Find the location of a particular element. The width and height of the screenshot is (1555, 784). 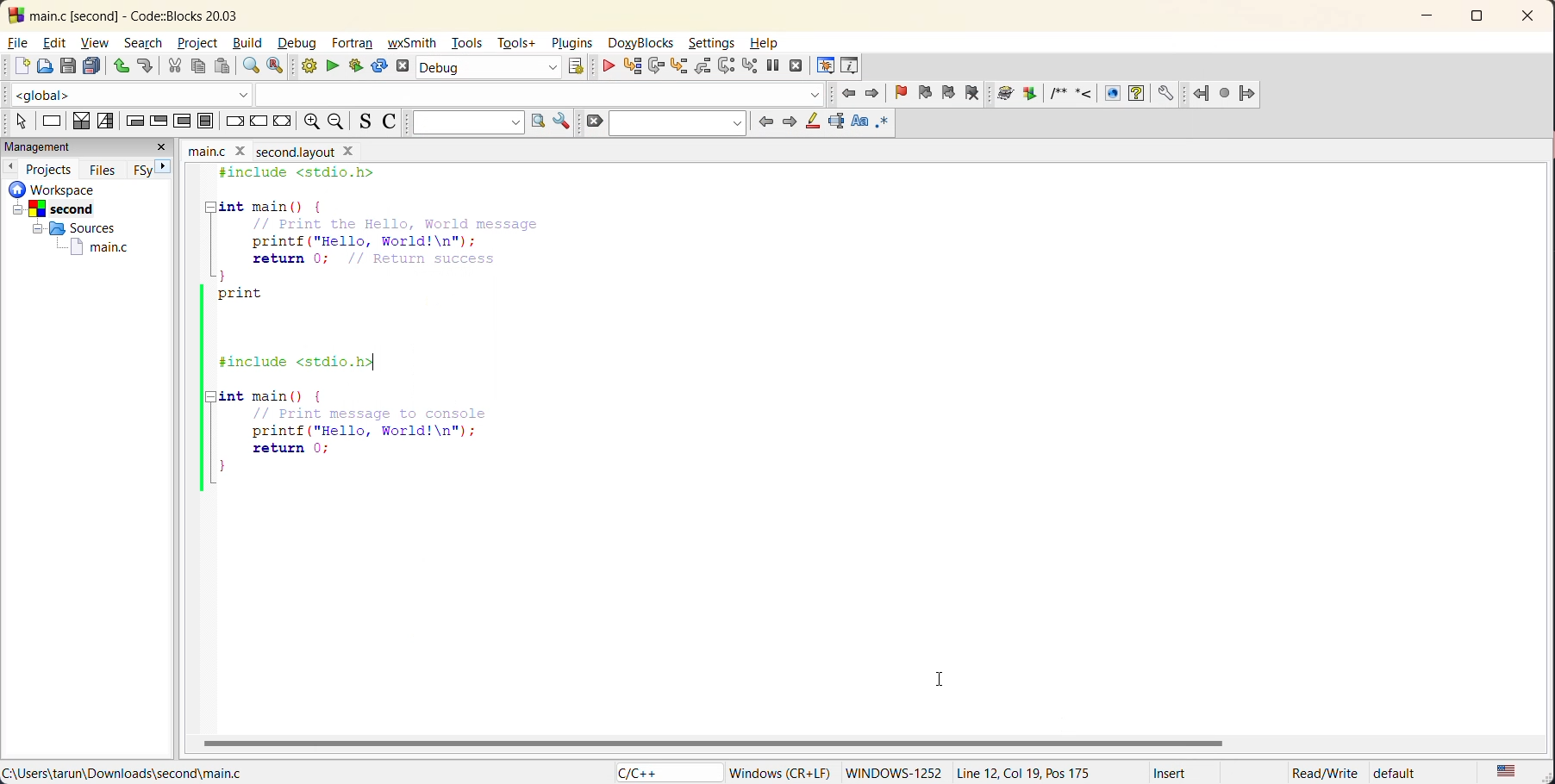

block instruction is located at coordinates (208, 121).